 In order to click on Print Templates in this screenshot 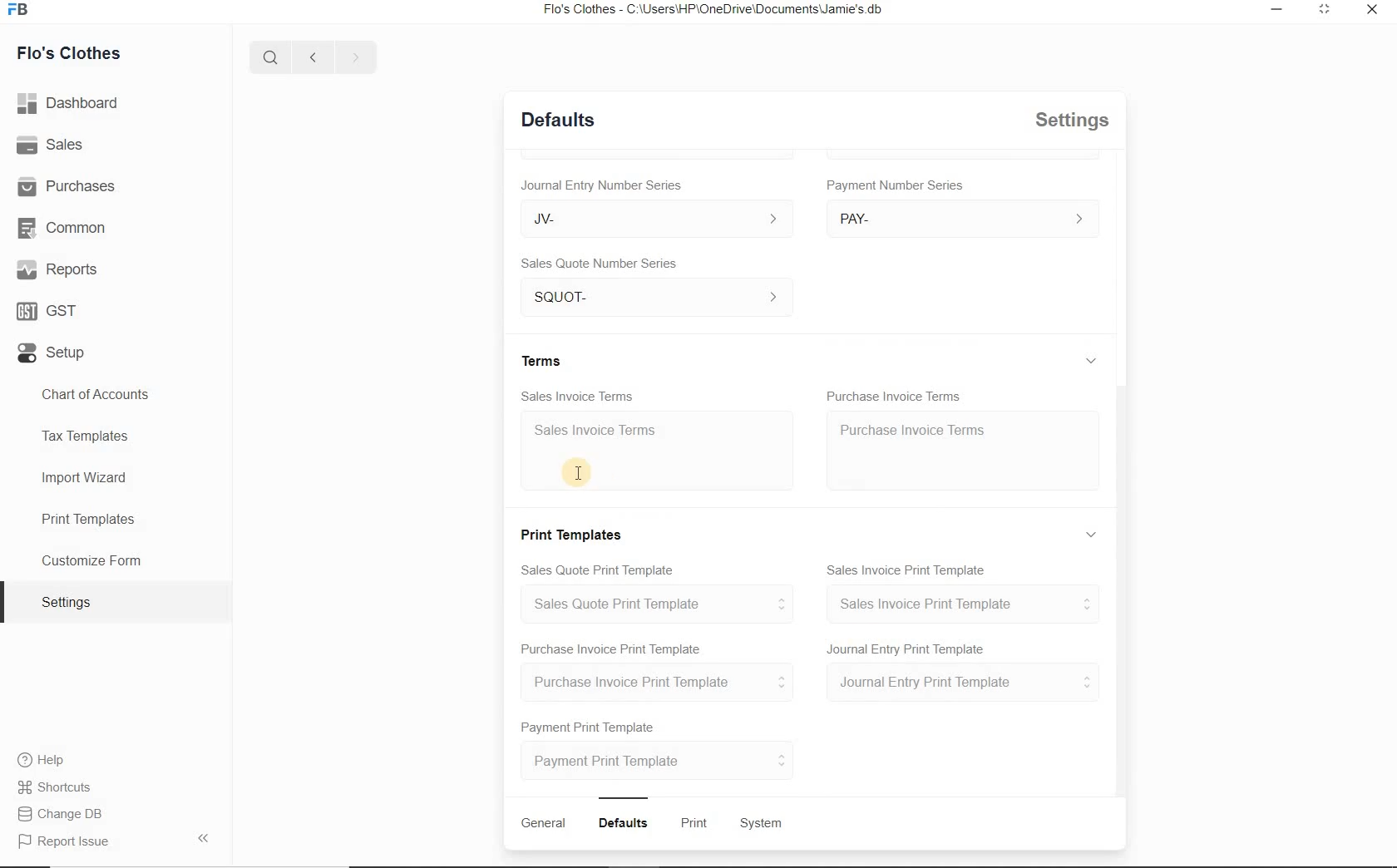, I will do `click(116, 518)`.